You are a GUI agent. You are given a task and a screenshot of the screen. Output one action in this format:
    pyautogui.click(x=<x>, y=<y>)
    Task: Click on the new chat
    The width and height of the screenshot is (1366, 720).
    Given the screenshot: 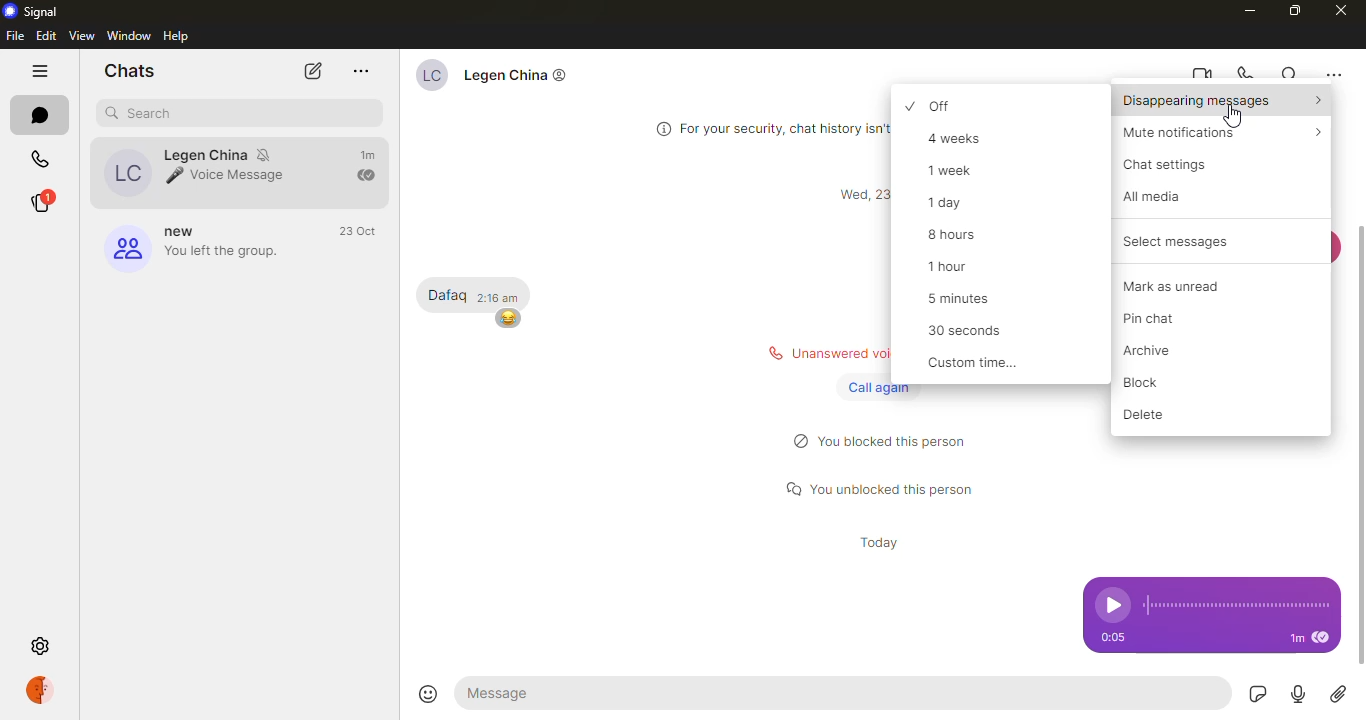 What is the action you would take?
    pyautogui.click(x=311, y=73)
    